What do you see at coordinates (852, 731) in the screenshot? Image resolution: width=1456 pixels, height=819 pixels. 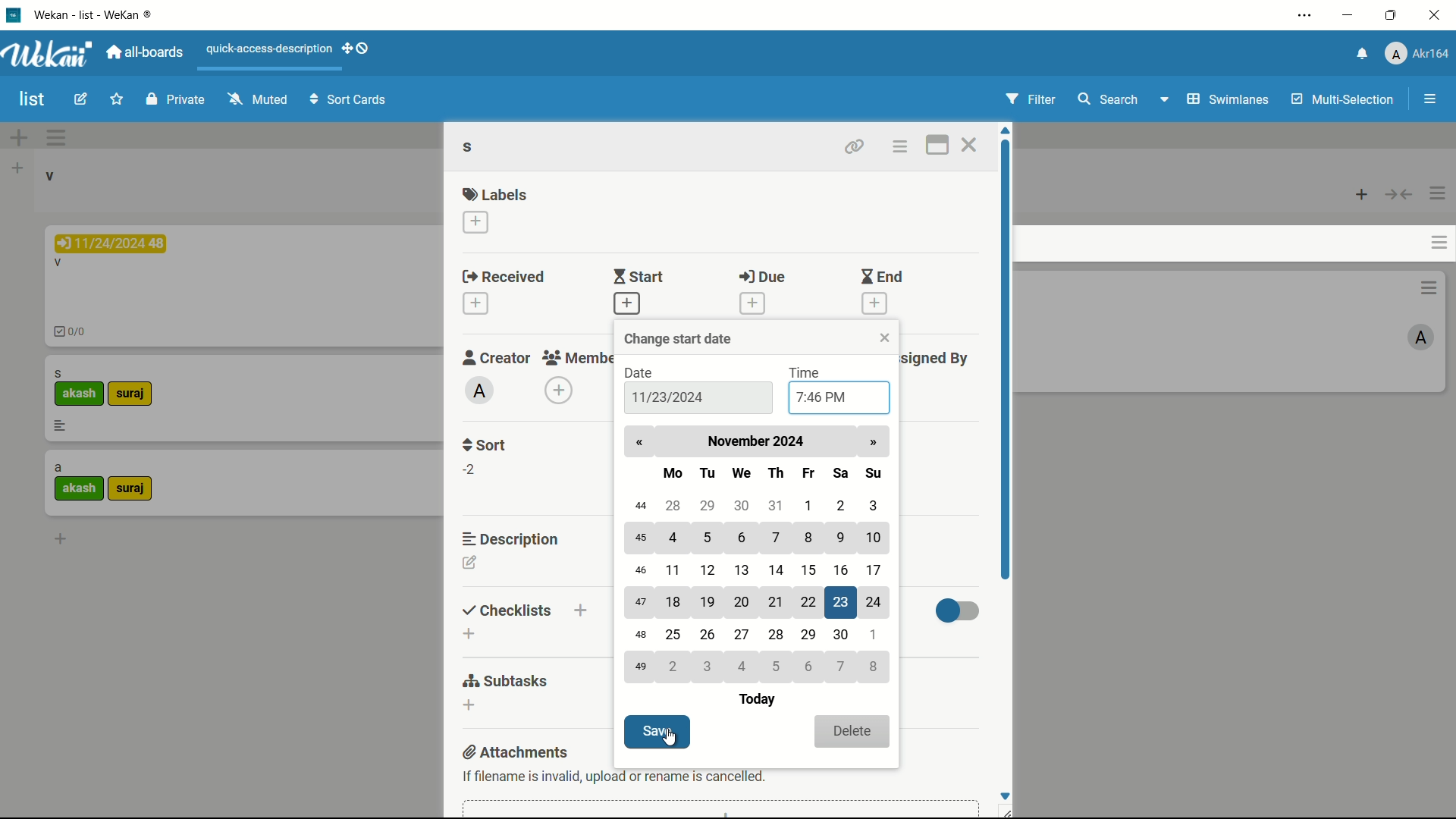 I see `delete` at bounding box center [852, 731].